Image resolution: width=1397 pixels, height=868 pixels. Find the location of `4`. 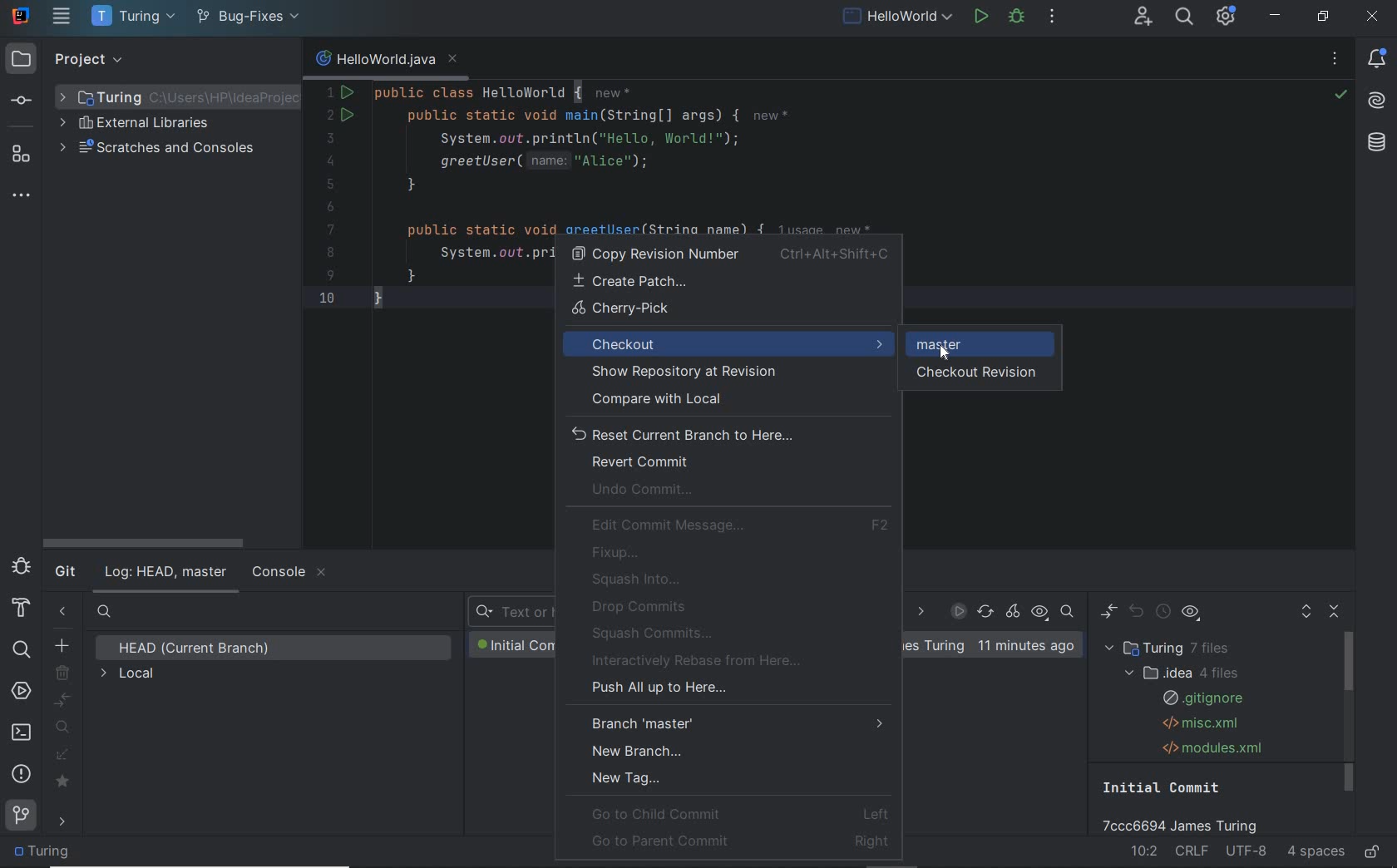

4 is located at coordinates (330, 161).